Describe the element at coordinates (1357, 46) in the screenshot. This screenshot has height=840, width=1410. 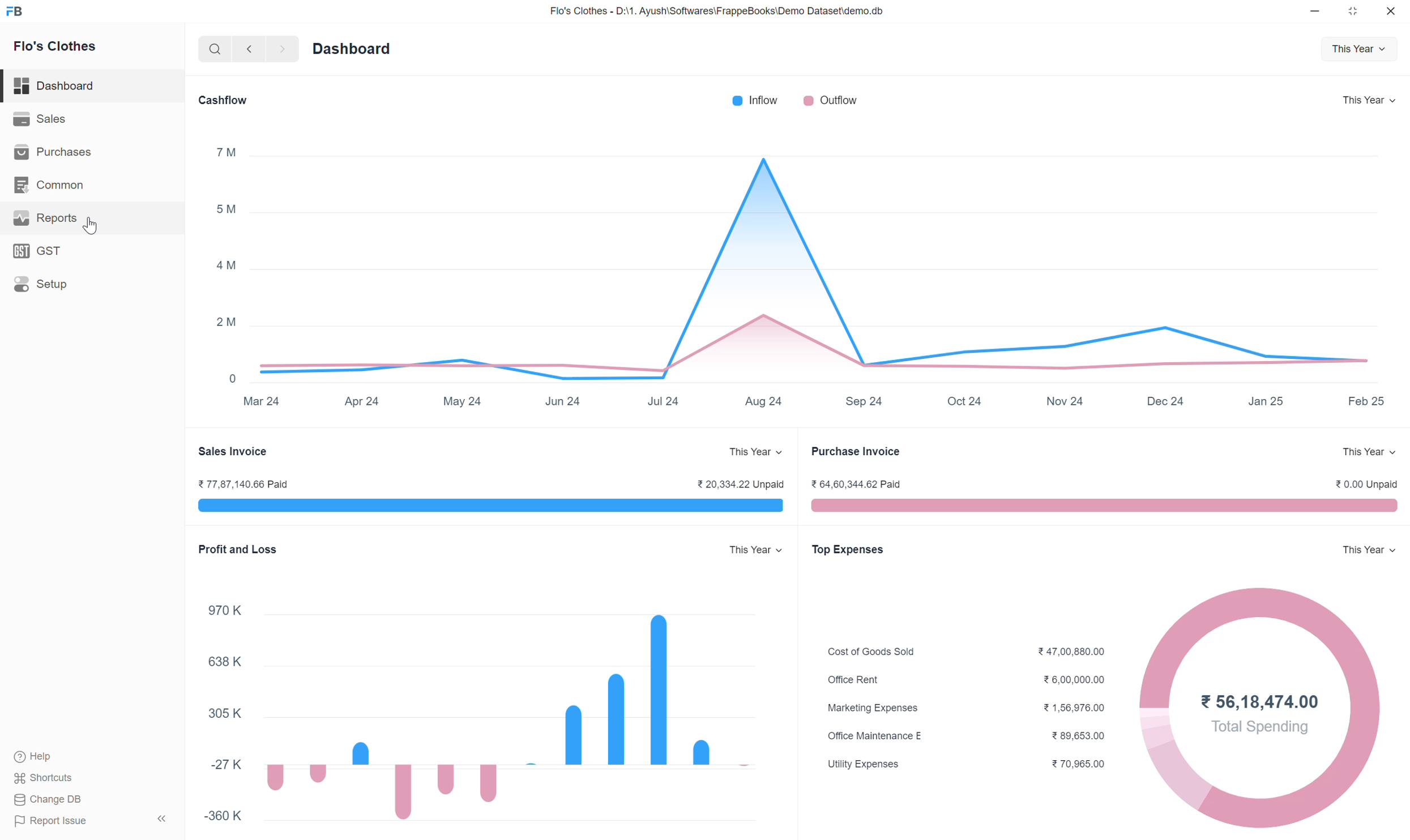
I see `This year` at that location.